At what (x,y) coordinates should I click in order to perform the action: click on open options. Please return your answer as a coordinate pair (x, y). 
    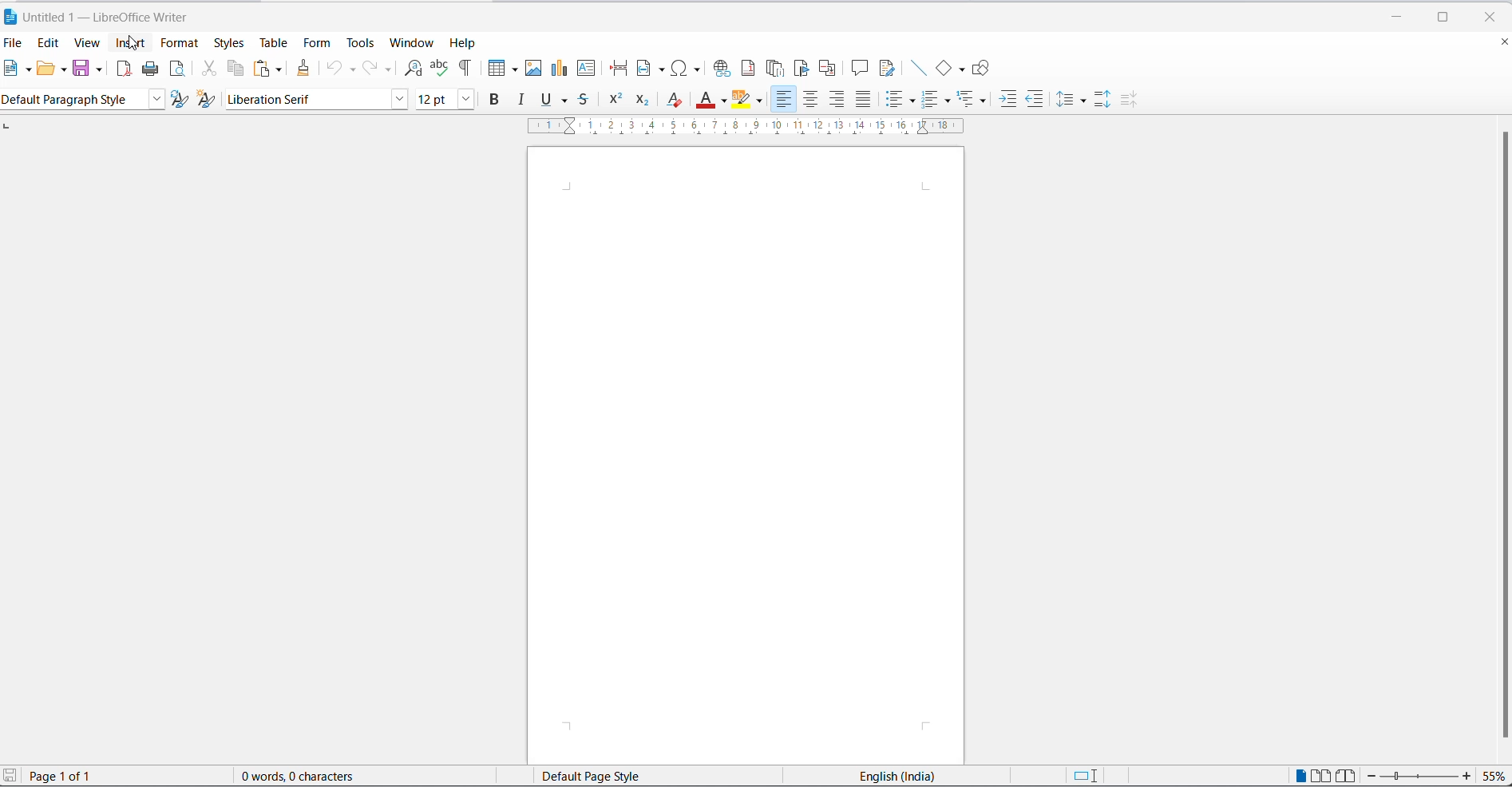
    Looking at the image, I should click on (59, 69).